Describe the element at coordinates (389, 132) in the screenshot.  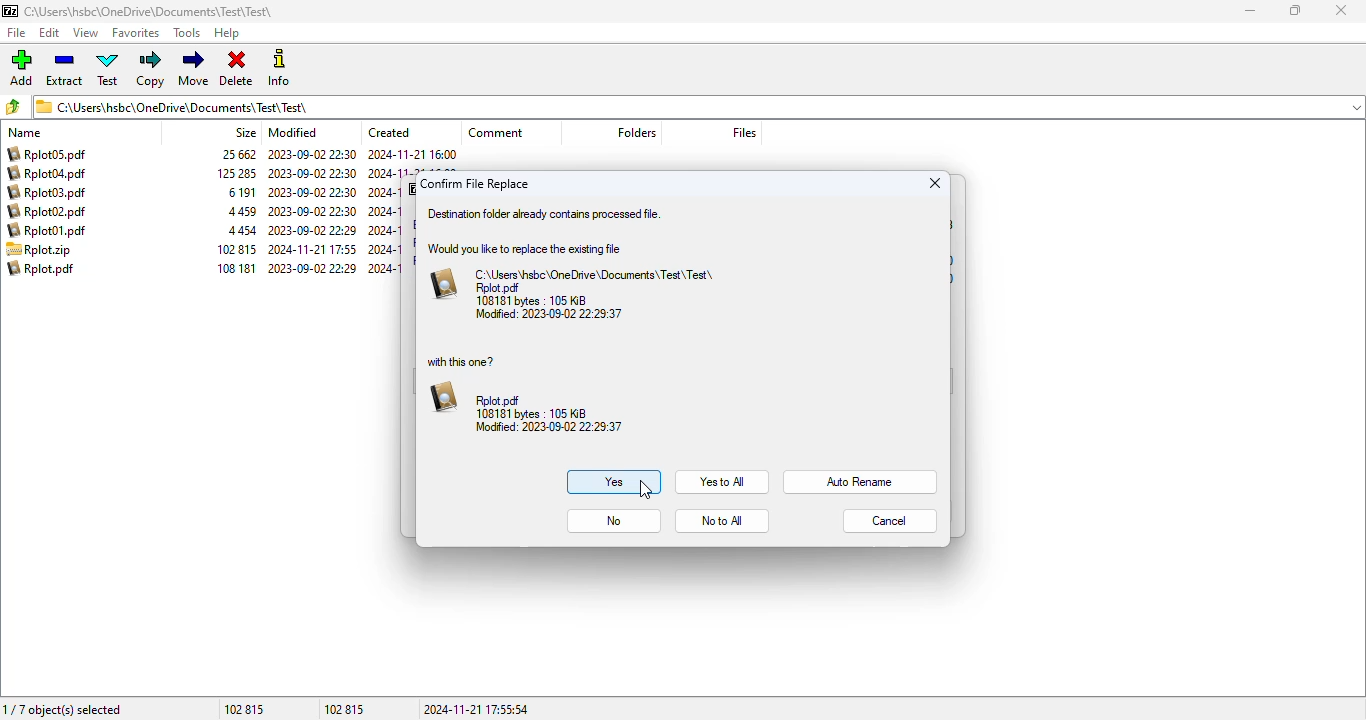
I see `created` at that location.